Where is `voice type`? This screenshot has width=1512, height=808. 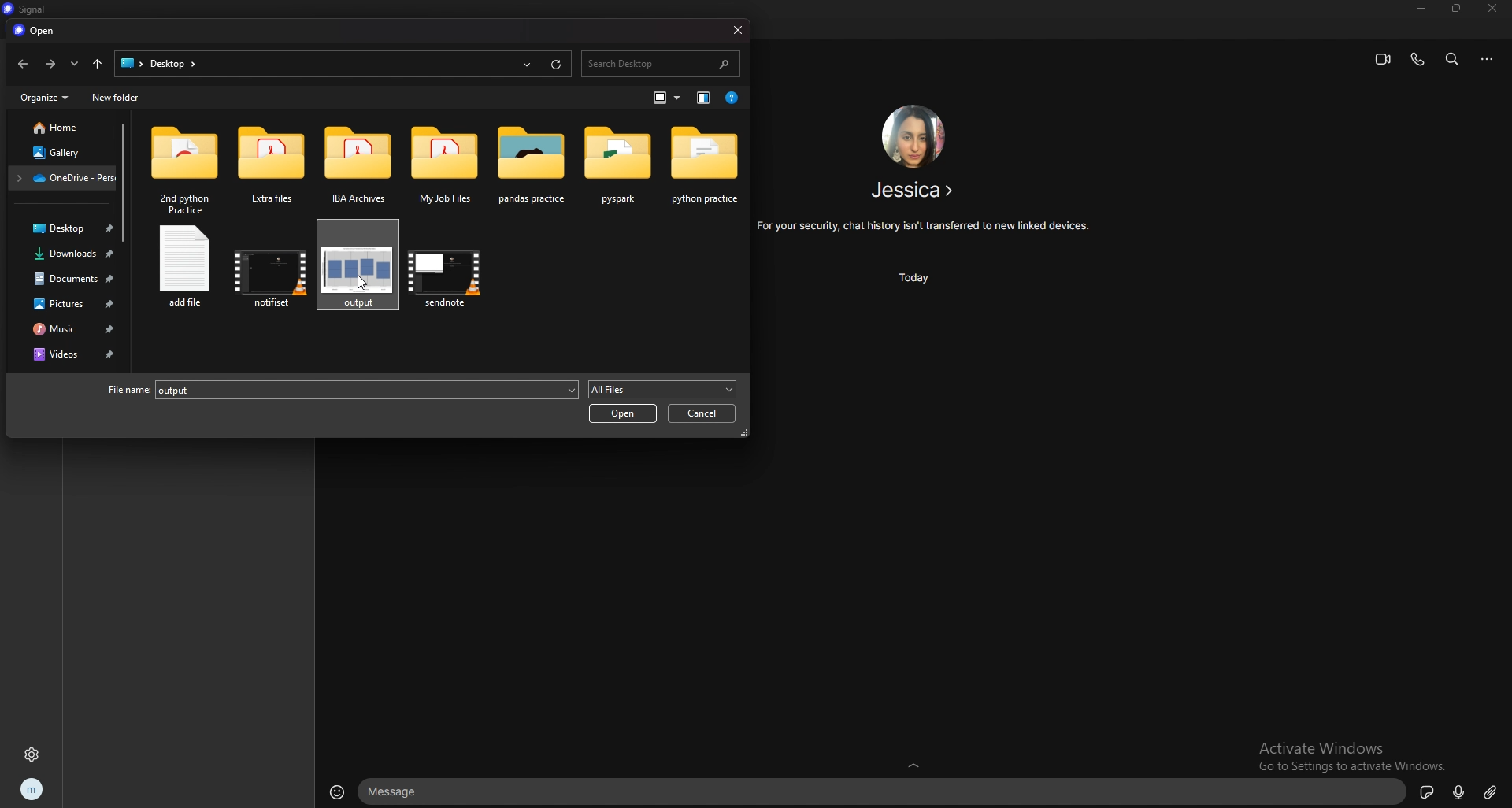
voice type is located at coordinates (1459, 791).